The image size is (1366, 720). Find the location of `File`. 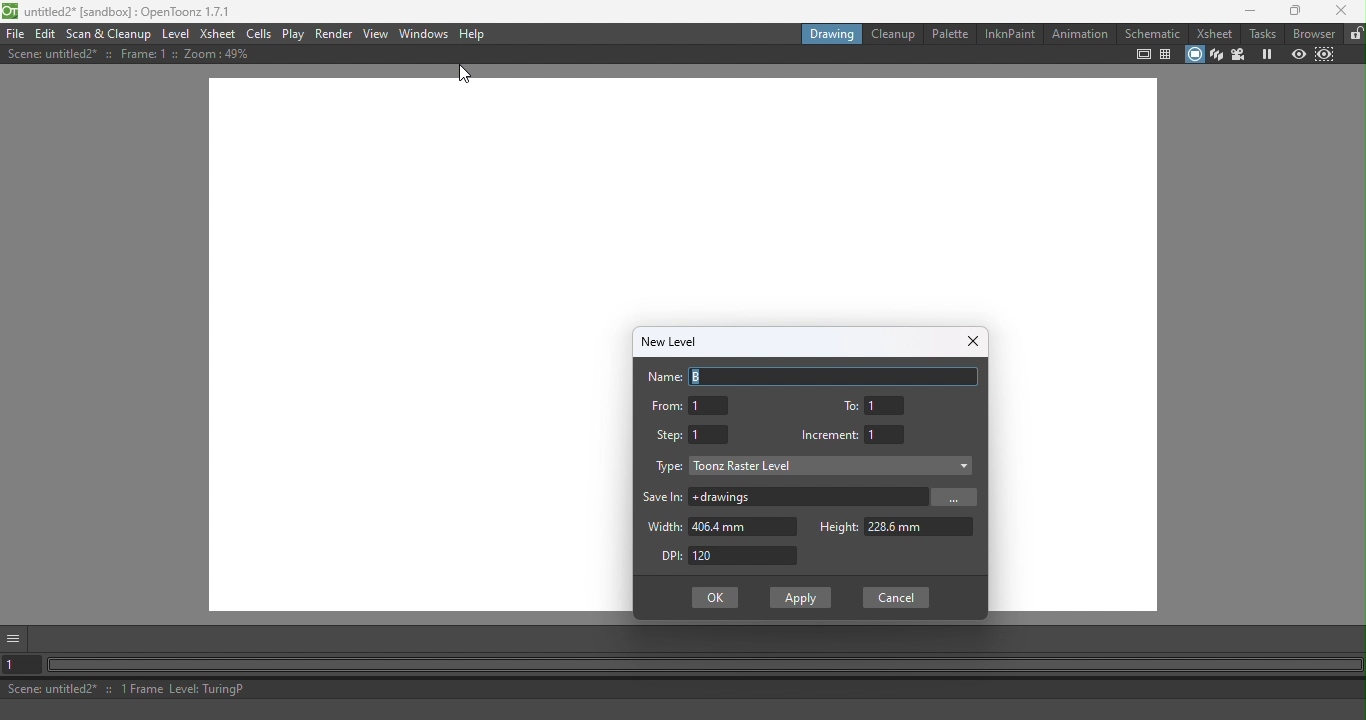

File is located at coordinates (13, 33).